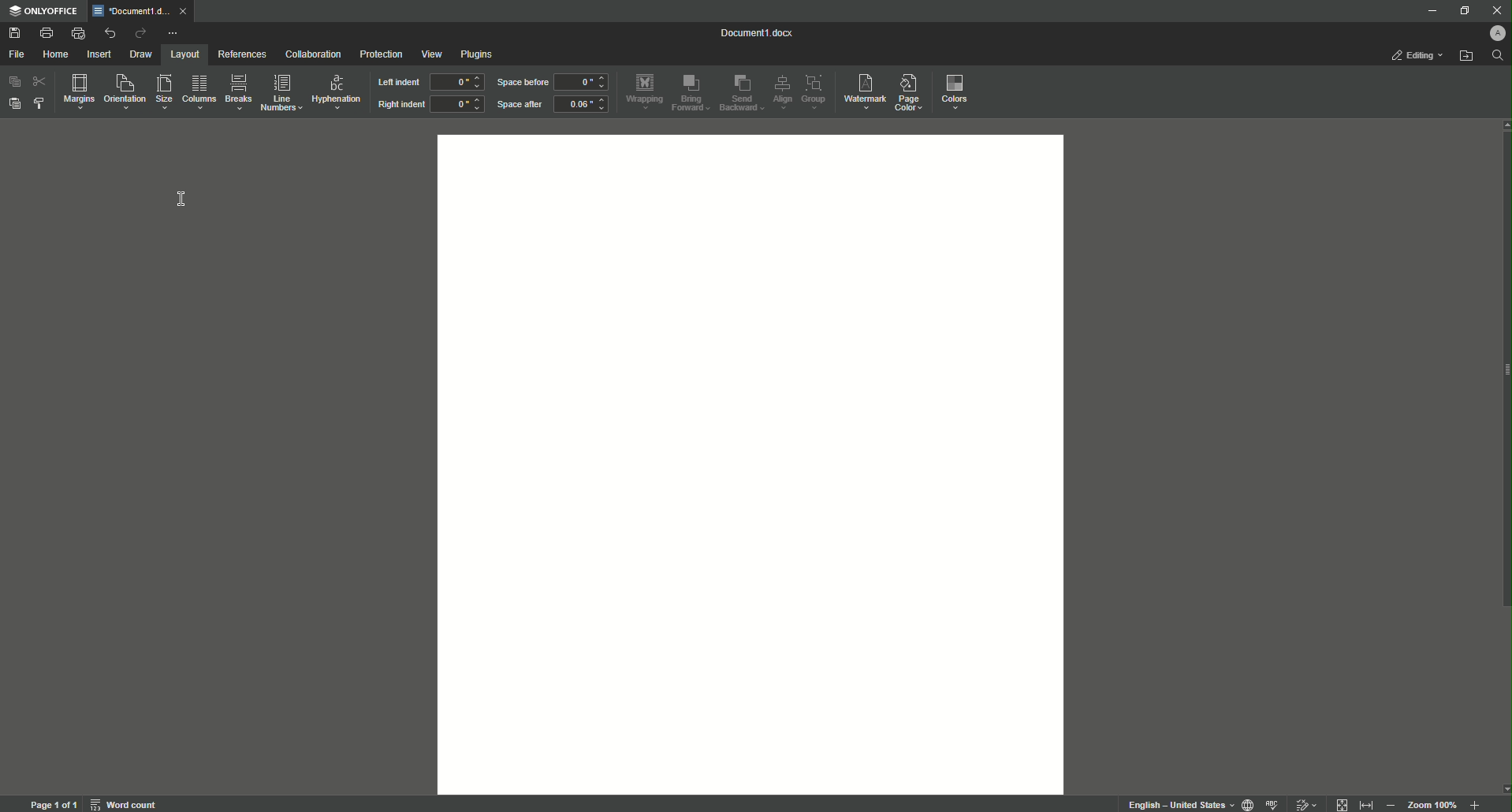  What do you see at coordinates (740, 93) in the screenshot?
I see `Send Backward` at bounding box center [740, 93].